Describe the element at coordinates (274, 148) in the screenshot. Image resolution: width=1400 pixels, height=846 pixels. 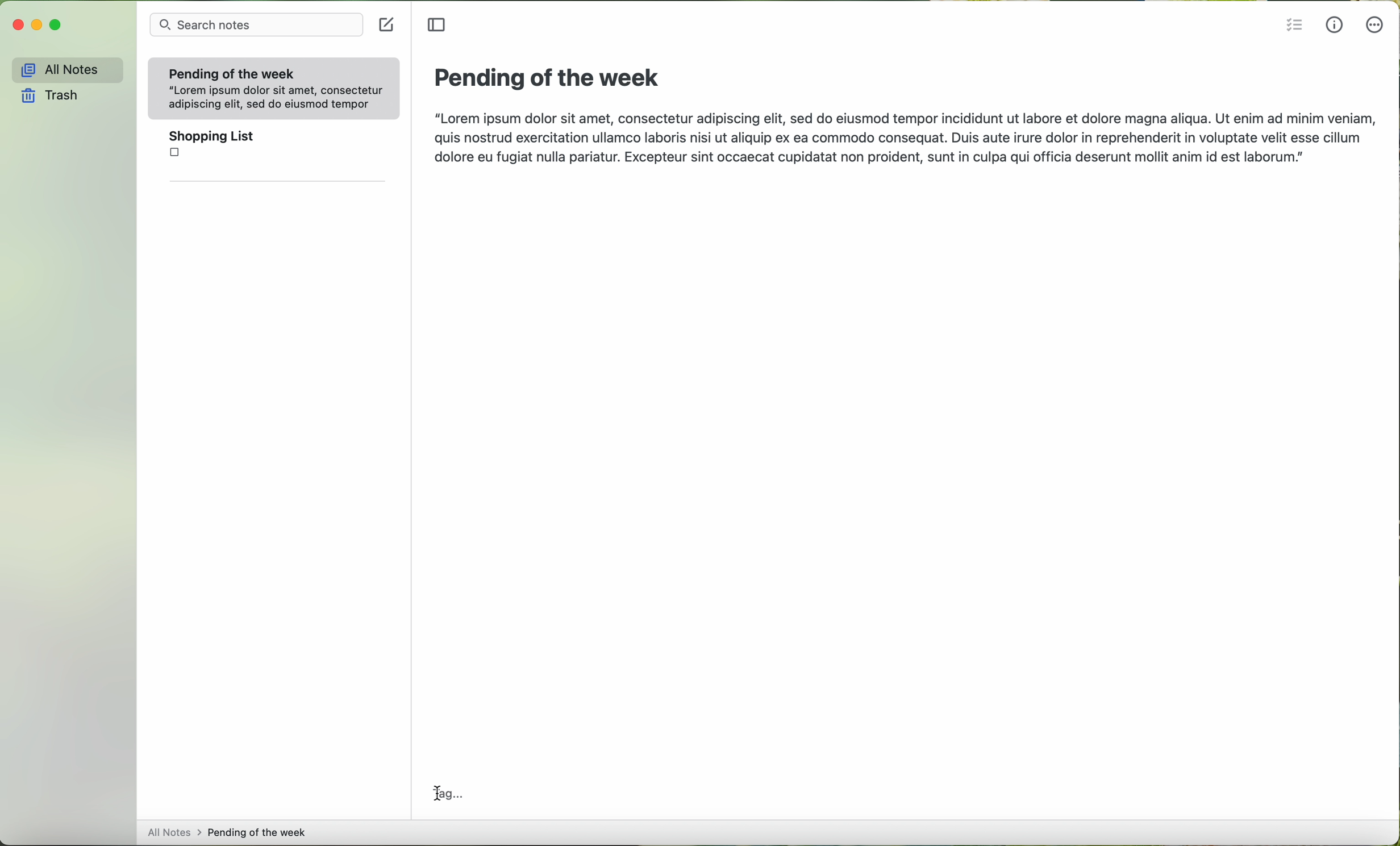
I see `shopping list` at that location.